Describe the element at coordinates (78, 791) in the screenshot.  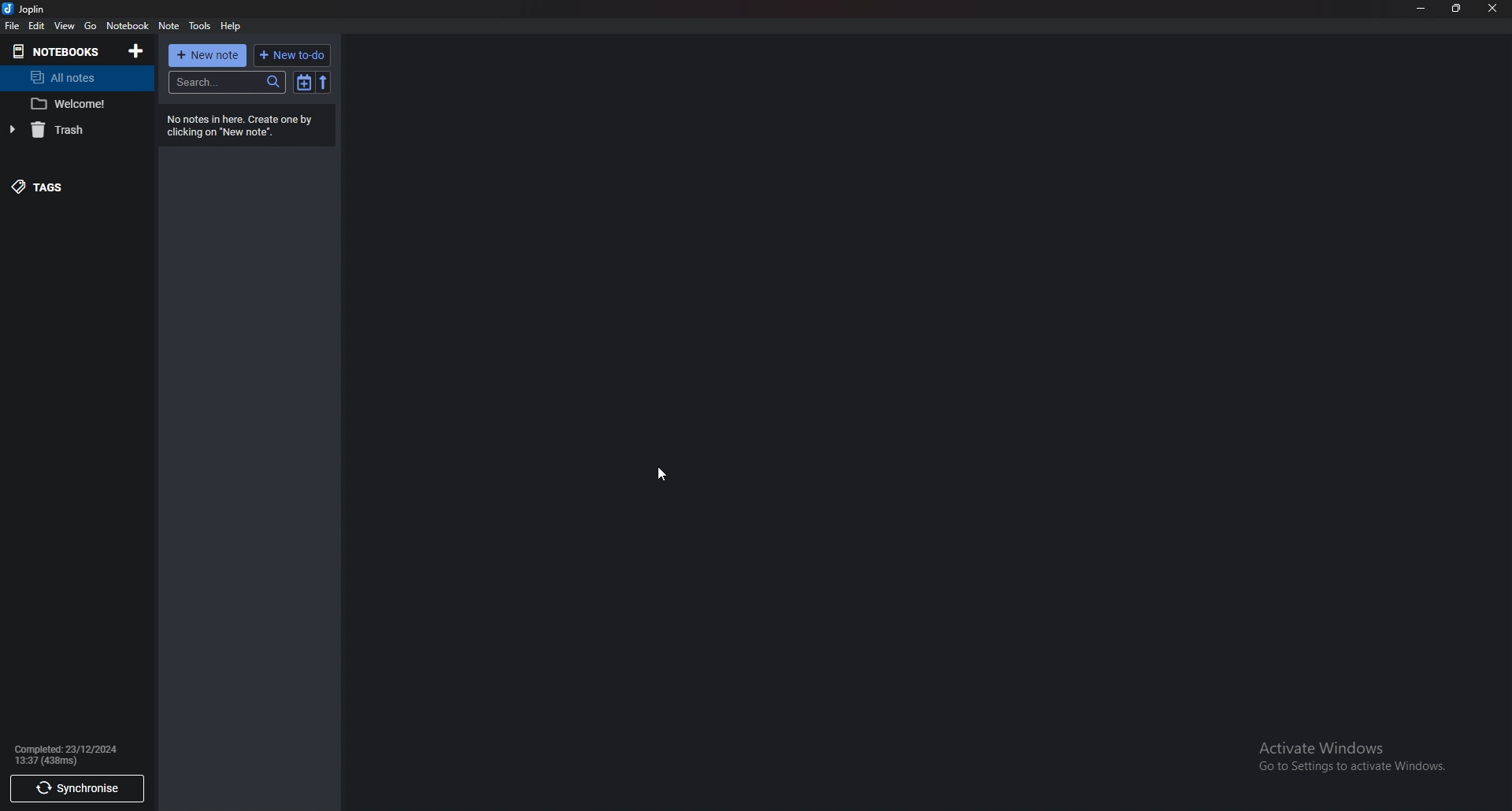
I see `synchronise` at that location.